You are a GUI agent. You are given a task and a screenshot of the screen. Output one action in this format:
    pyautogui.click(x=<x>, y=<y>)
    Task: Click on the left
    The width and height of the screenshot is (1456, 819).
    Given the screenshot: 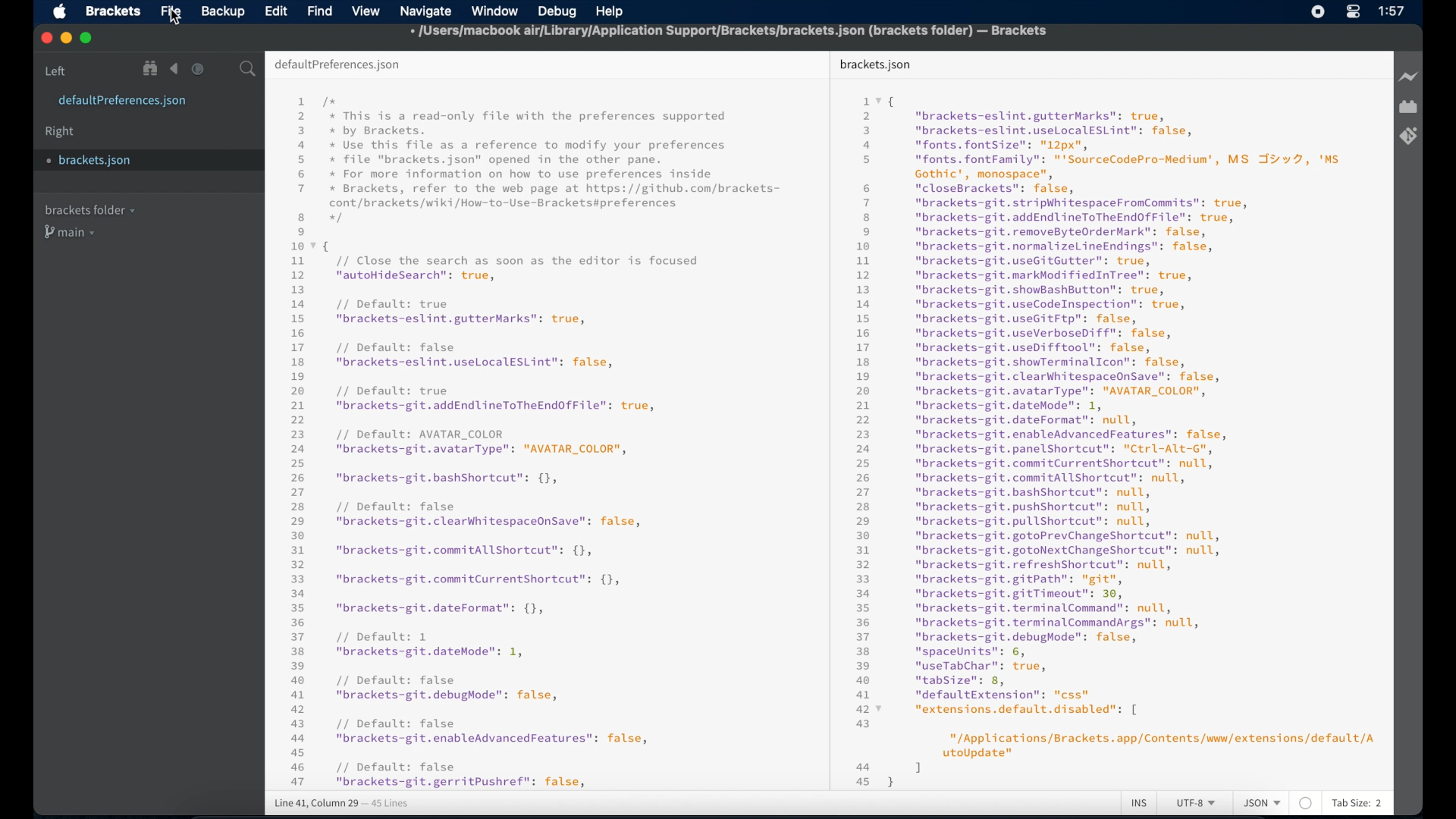 What is the action you would take?
    pyautogui.click(x=56, y=71)
    